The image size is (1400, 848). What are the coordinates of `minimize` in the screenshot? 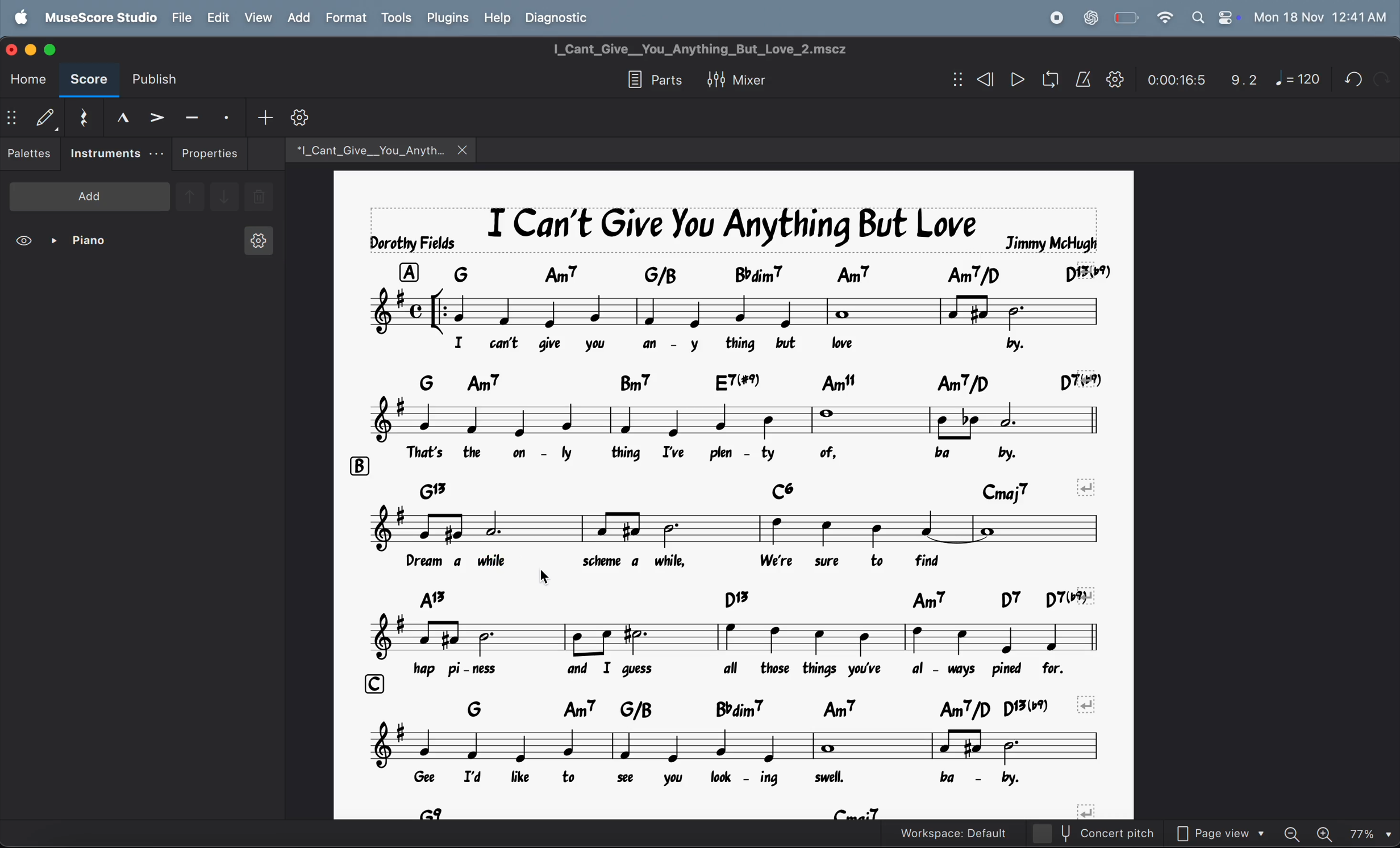 It's located at (33, 49).